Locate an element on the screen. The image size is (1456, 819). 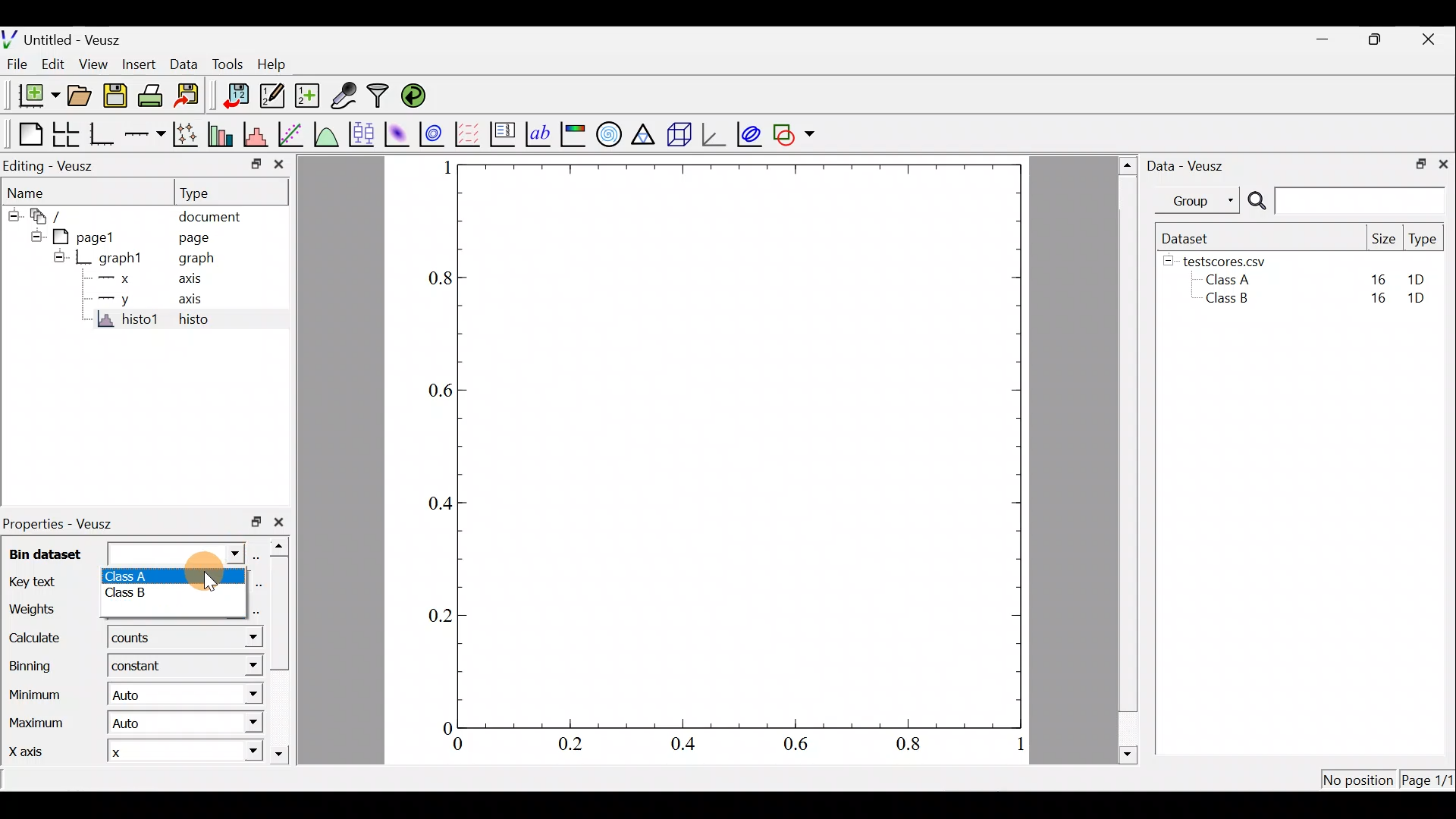
Maximum is located at coordinates (36, 726).